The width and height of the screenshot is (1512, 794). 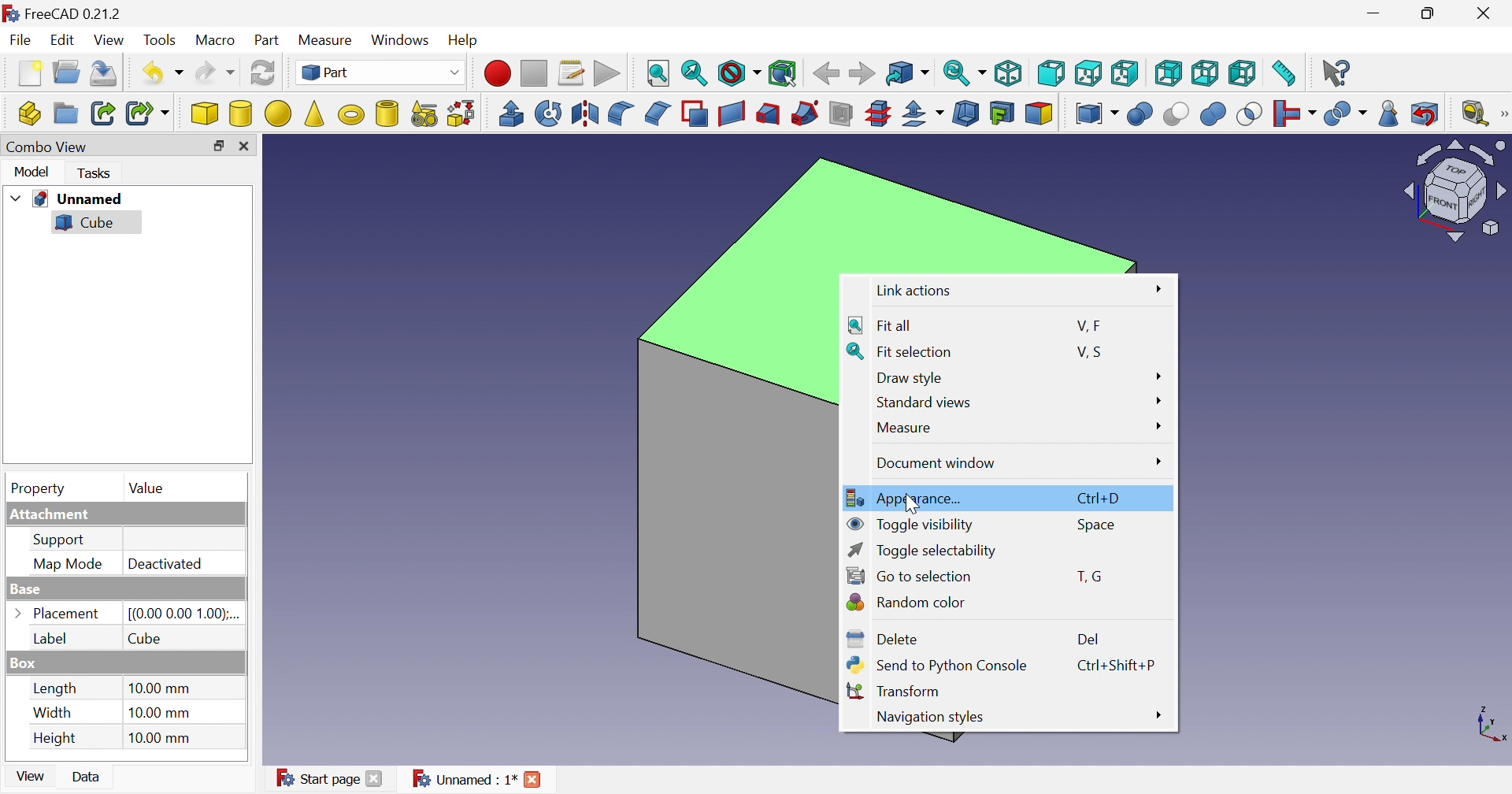 I want to click on Fit selection, so click(x=901, y=352).